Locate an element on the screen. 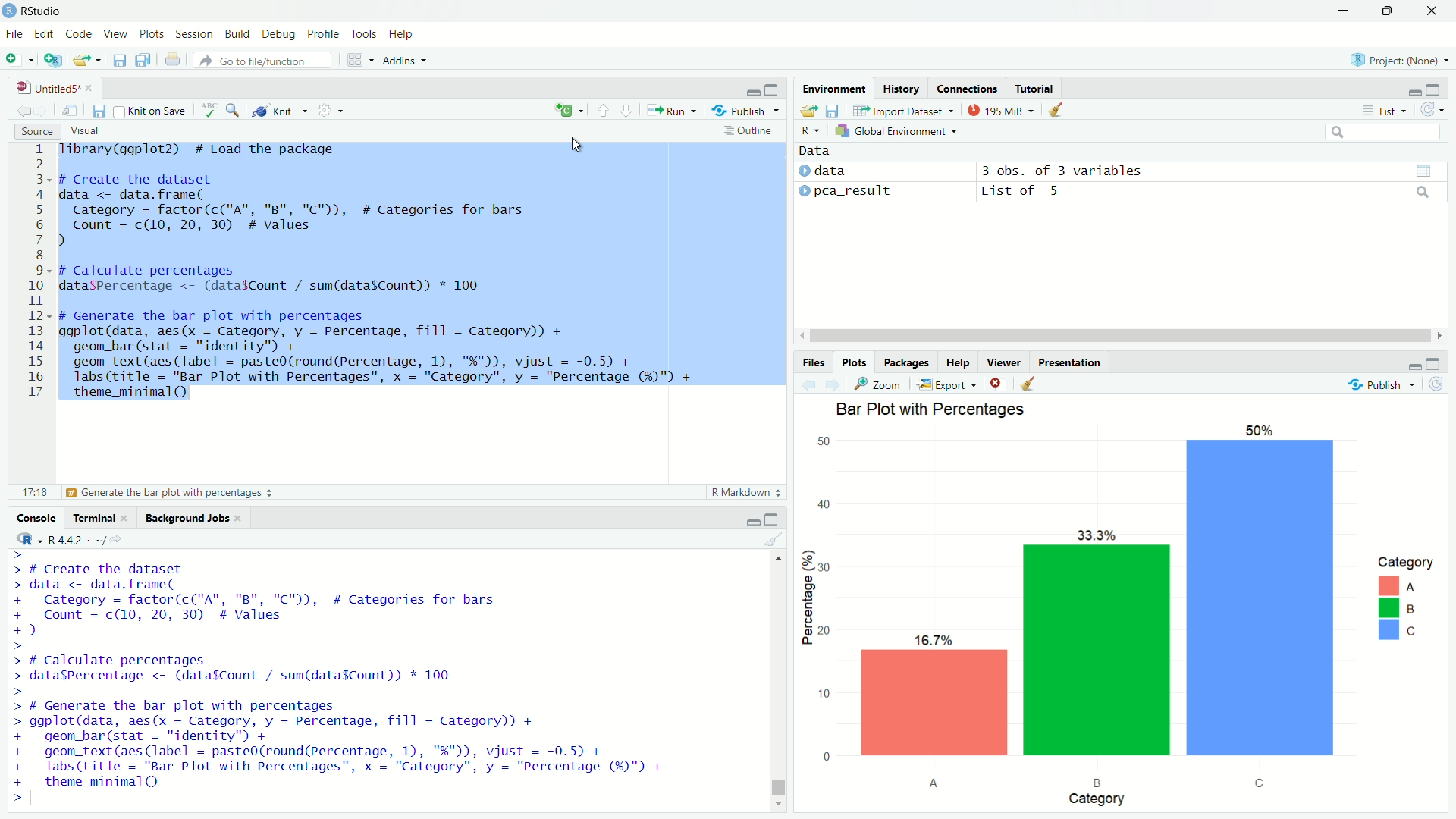  Code is located at coordinates (80, 35).